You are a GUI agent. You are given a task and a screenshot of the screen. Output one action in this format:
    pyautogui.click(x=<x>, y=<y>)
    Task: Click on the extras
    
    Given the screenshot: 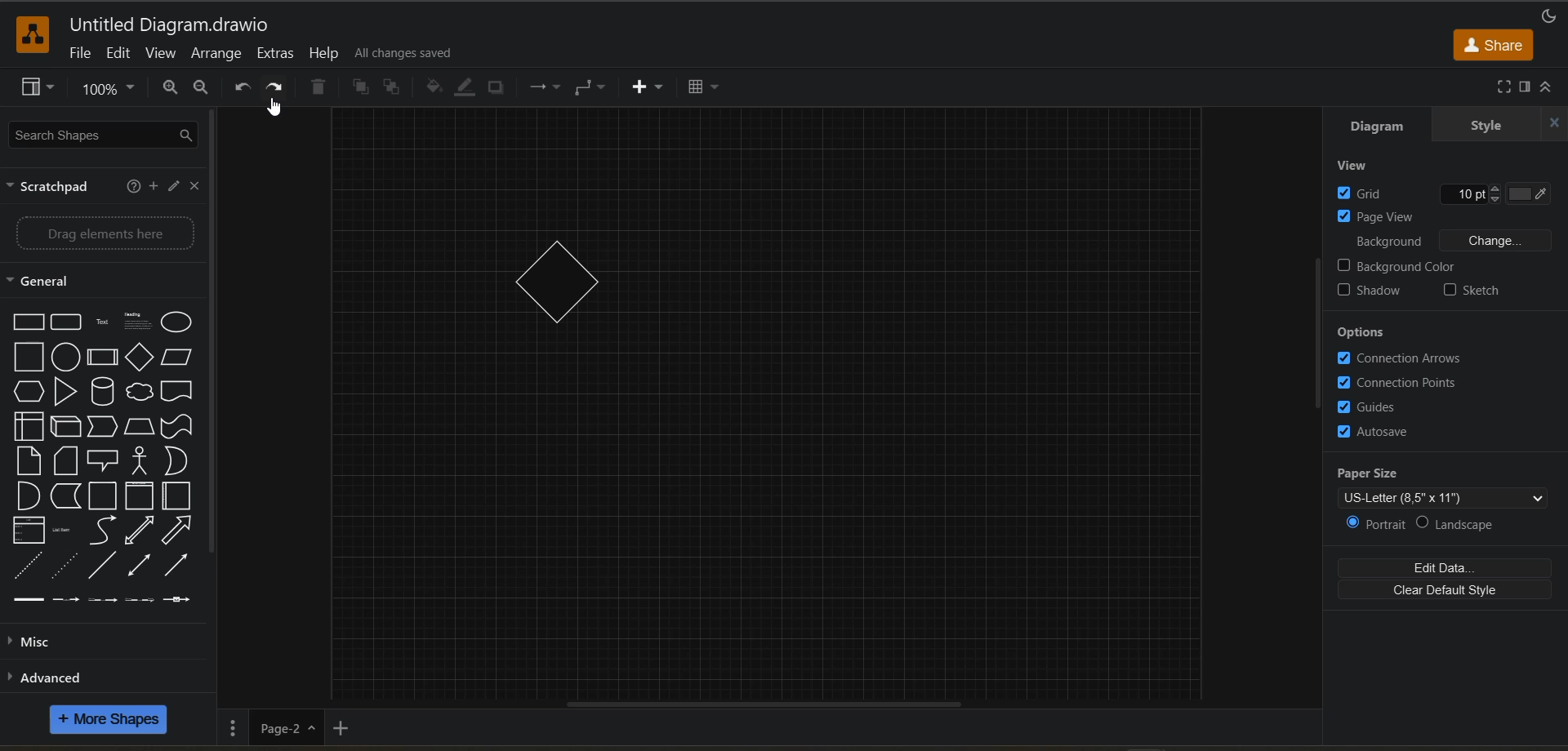 What is the action you would take?
    pyautogui.click(x=277, y=54)
    